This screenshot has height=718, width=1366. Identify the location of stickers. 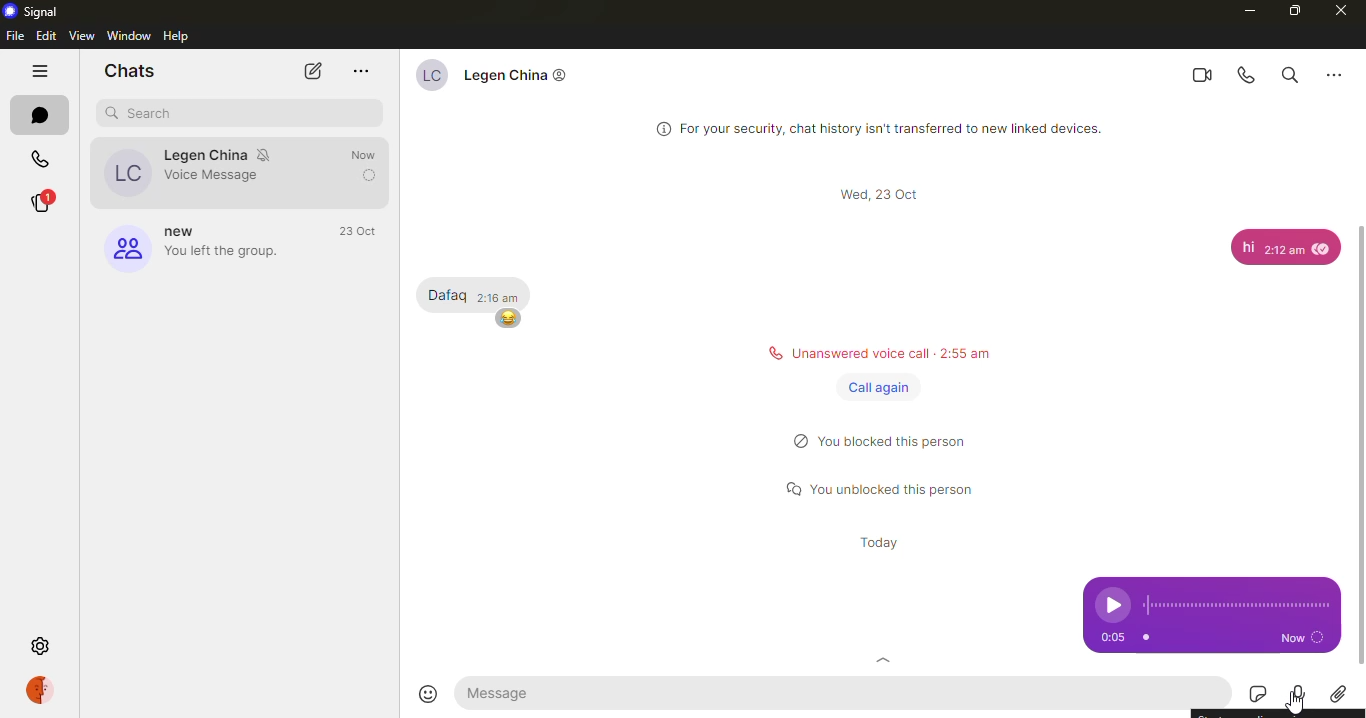
(1249, 694).